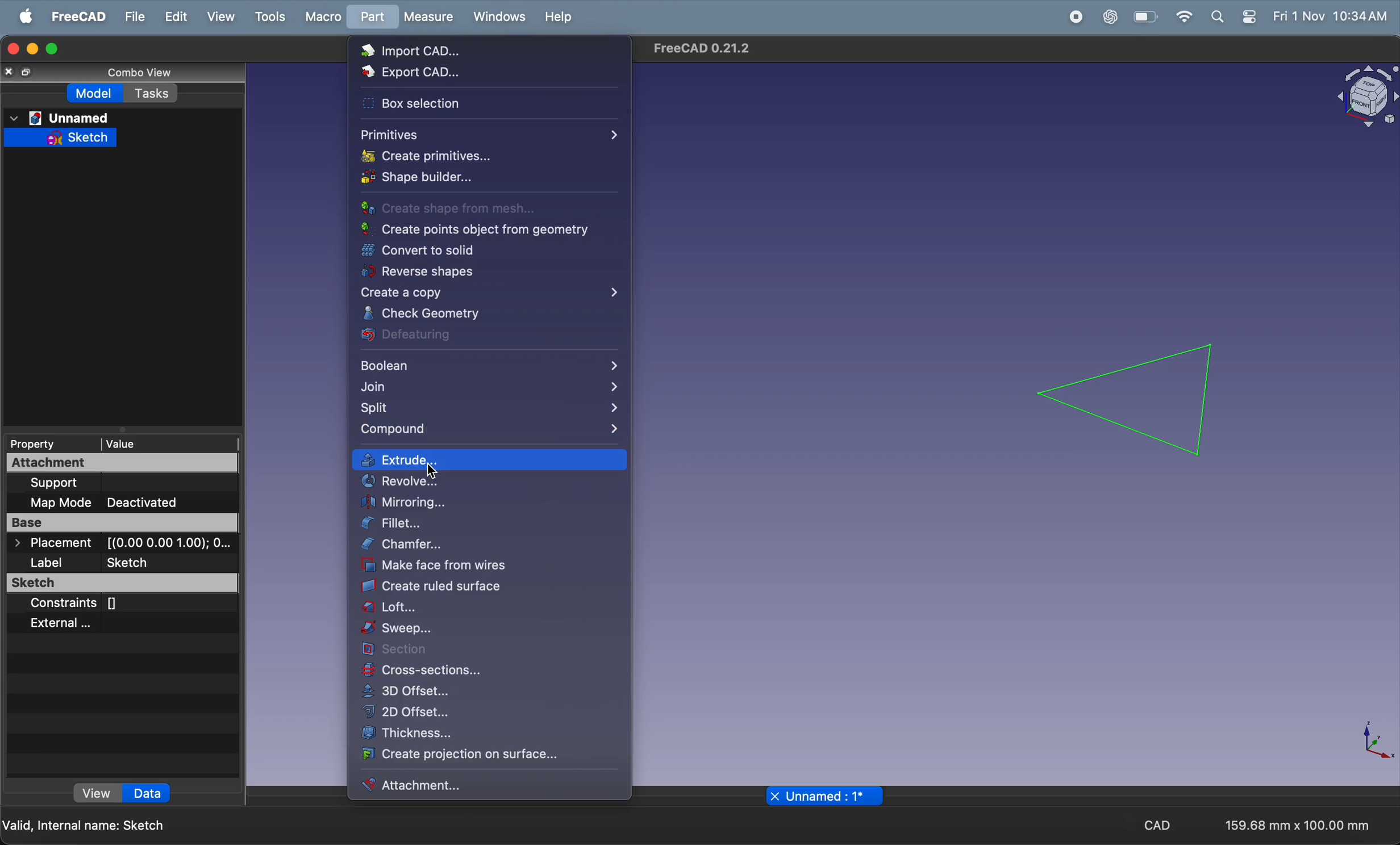  I want to click on 3d offset, so click(489, 692).